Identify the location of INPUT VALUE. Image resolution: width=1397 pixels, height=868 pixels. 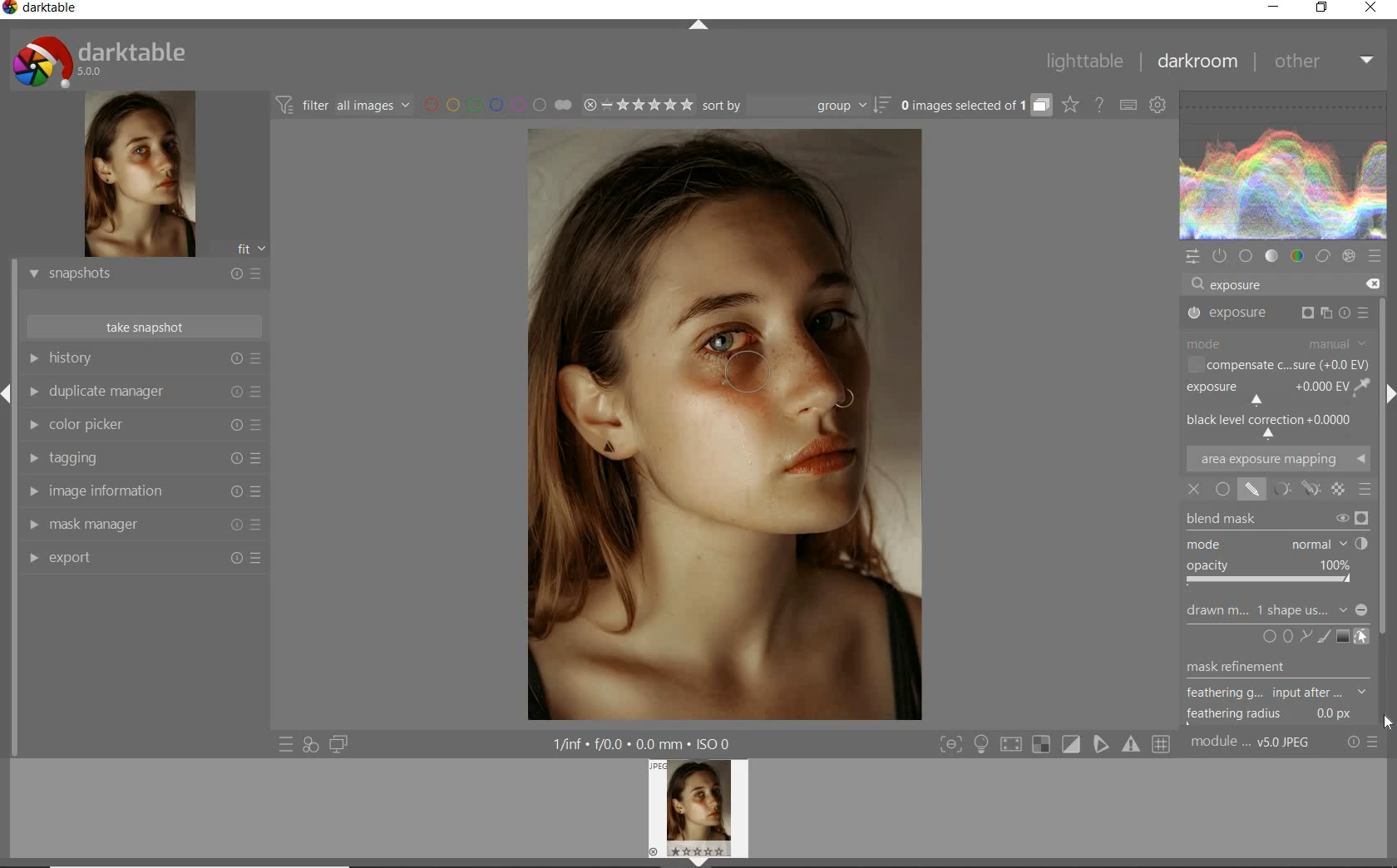
(1244, 284).